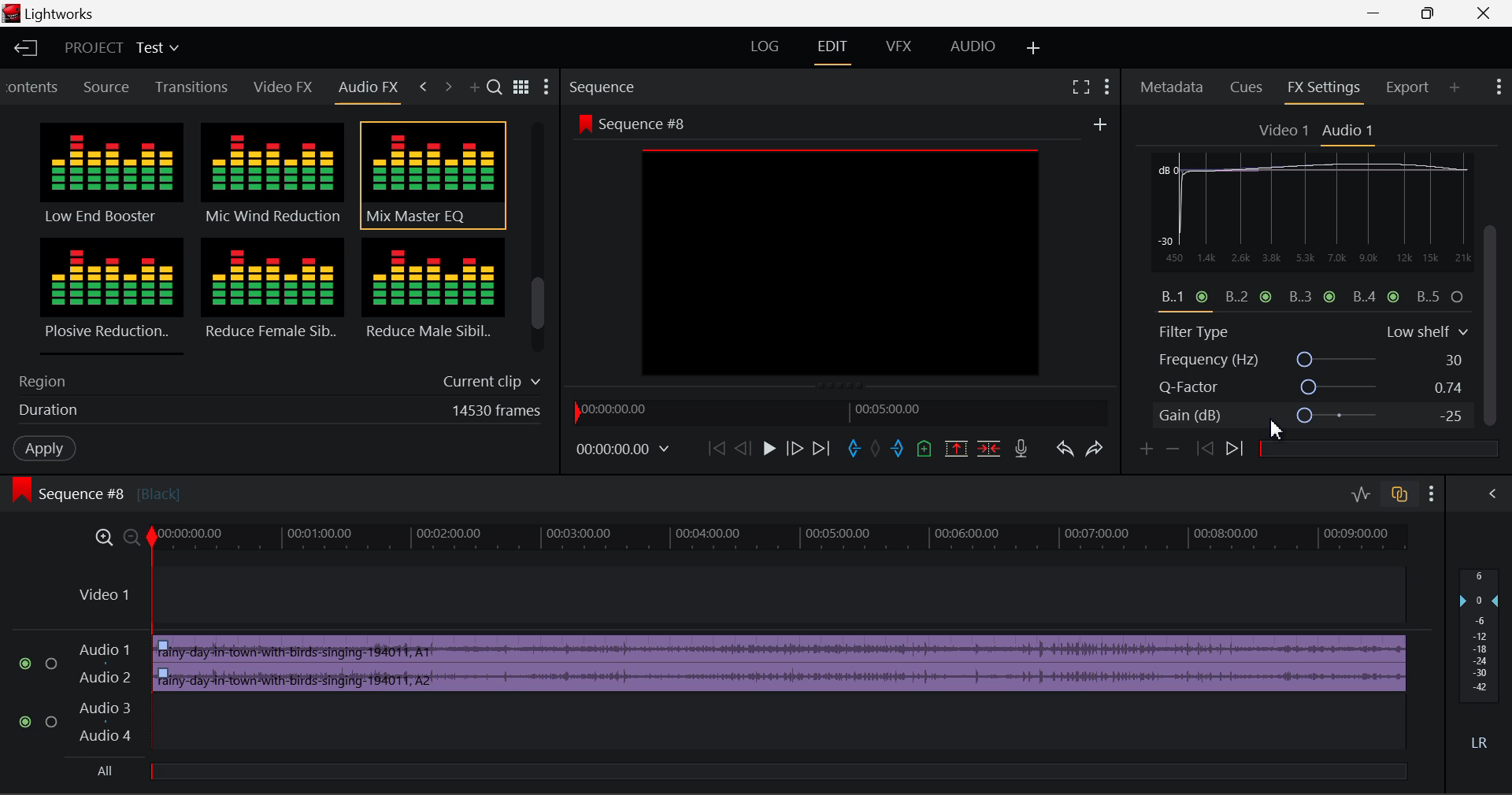 This screenshot has width=1512, height=795. What do you see at coordinates (838, 411) in the screenshot?
I see `Project Timeline Navigator` at bounding box center [838, 411].